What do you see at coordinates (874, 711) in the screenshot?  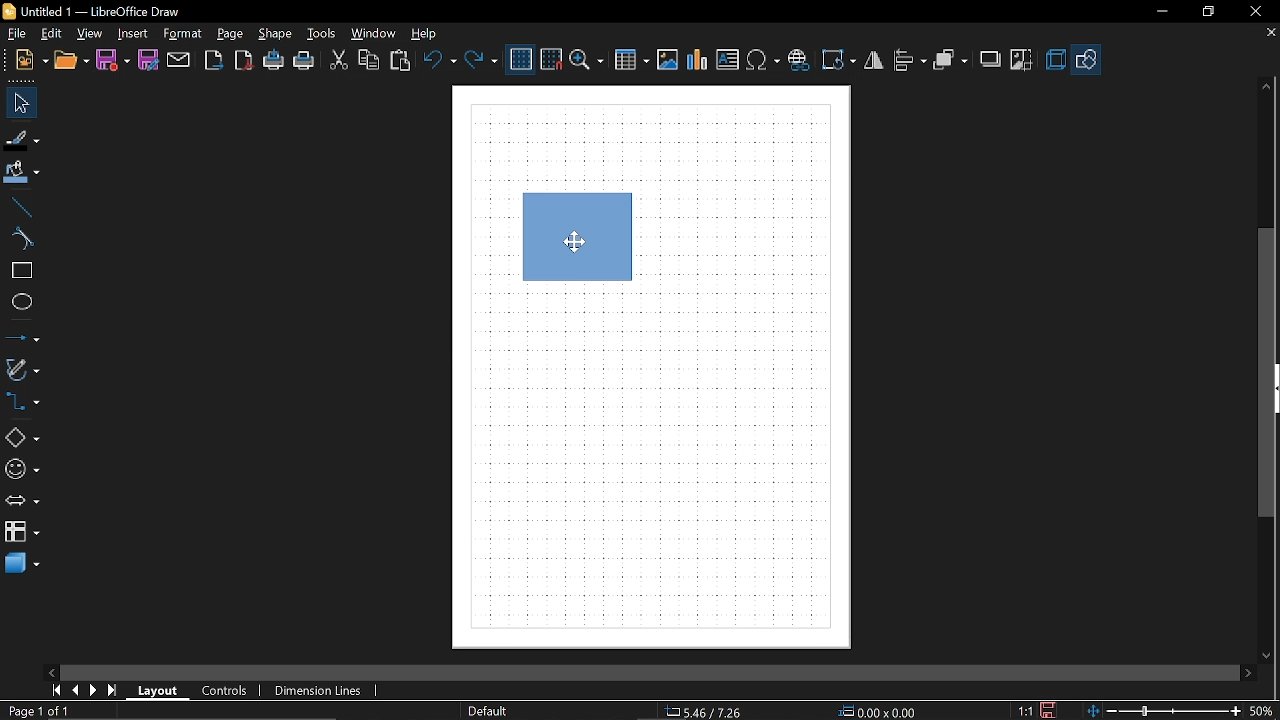 I see `Position` at bounding box center [874, 711].